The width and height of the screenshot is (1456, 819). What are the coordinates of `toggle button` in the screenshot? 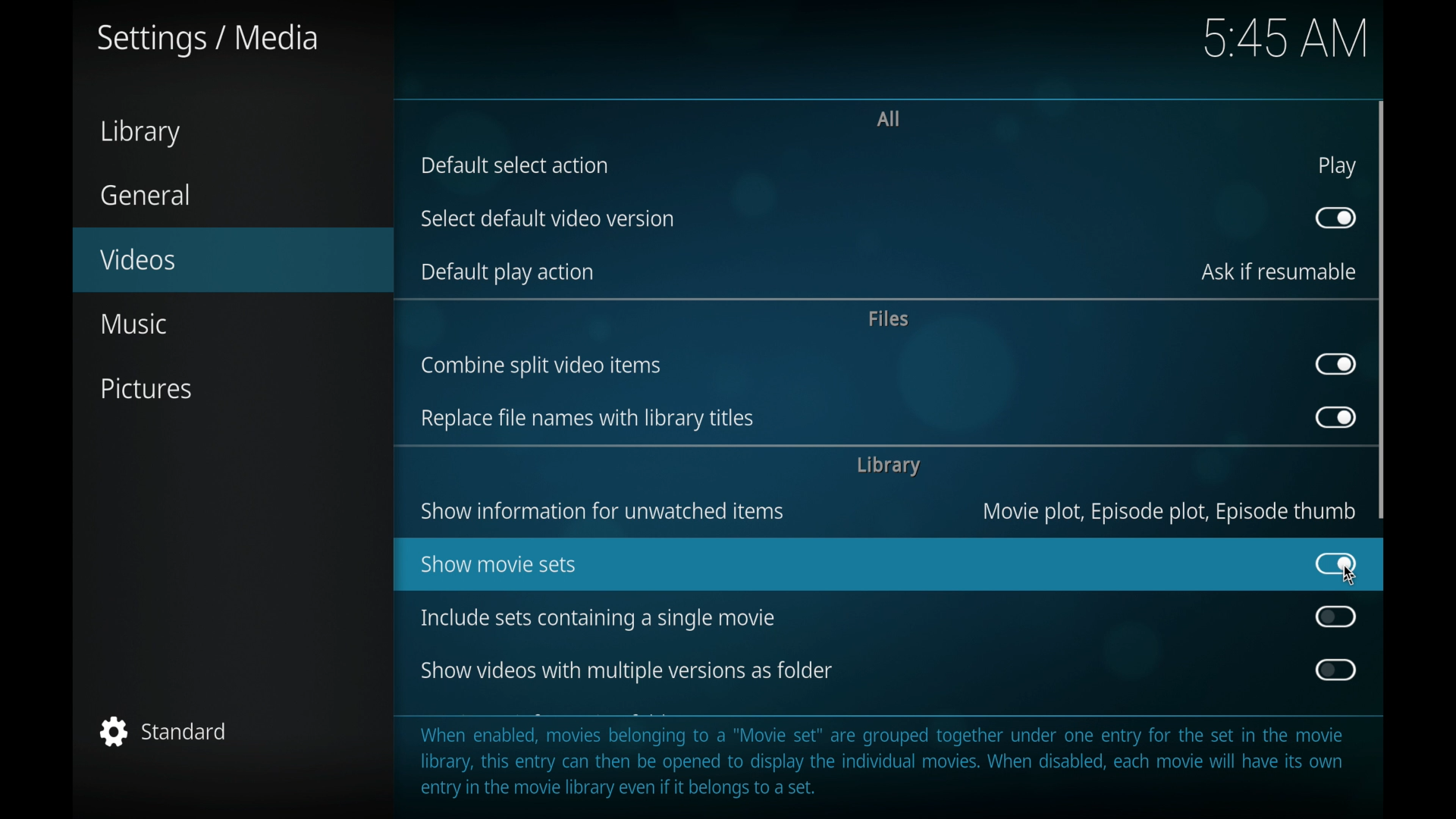 It's located at (1335, 364).